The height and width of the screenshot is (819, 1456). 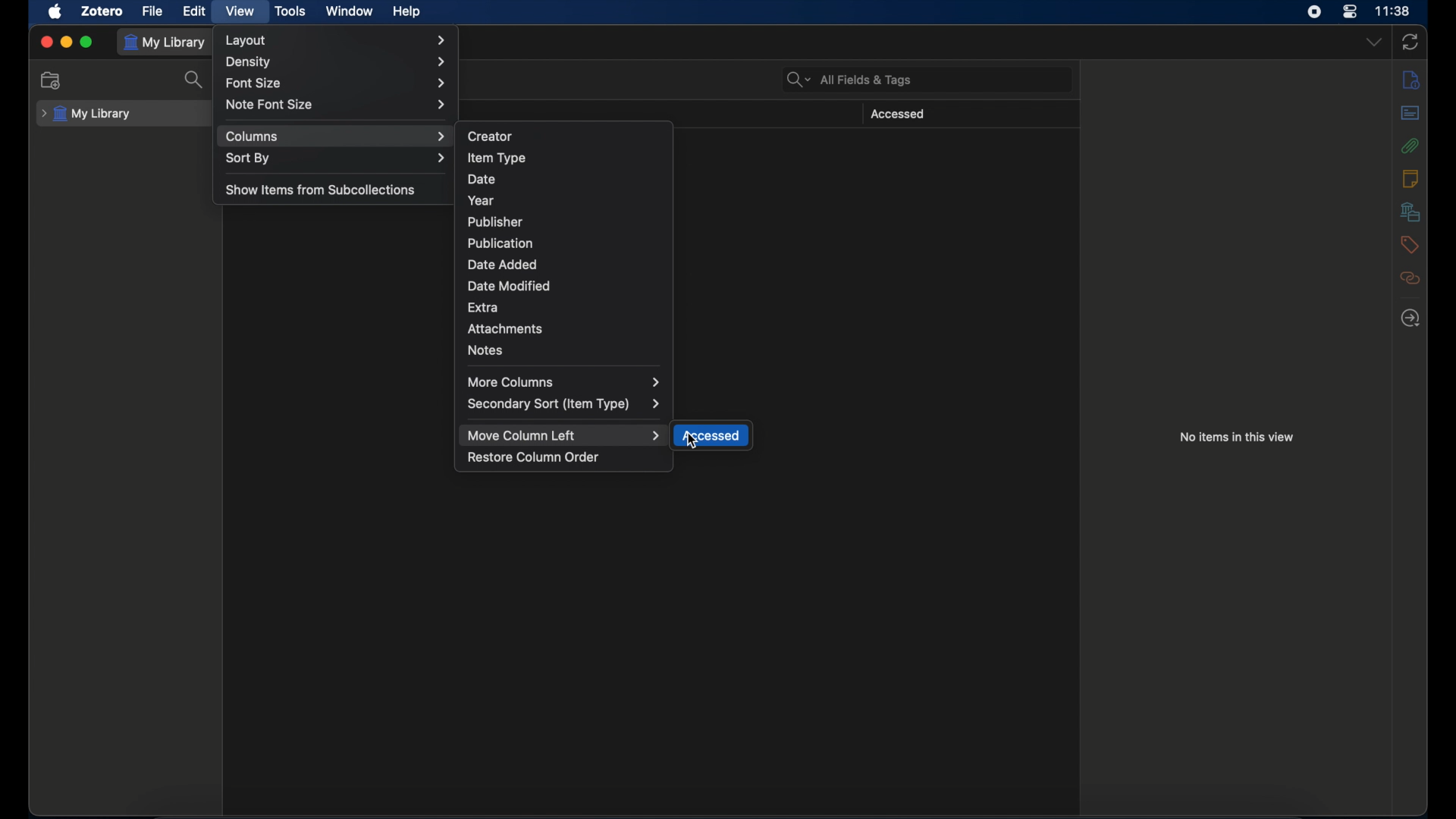 What do you see at coordinates (1350, 11) in the screenshot?
I see `control center` at bounding box center [1350, 11].